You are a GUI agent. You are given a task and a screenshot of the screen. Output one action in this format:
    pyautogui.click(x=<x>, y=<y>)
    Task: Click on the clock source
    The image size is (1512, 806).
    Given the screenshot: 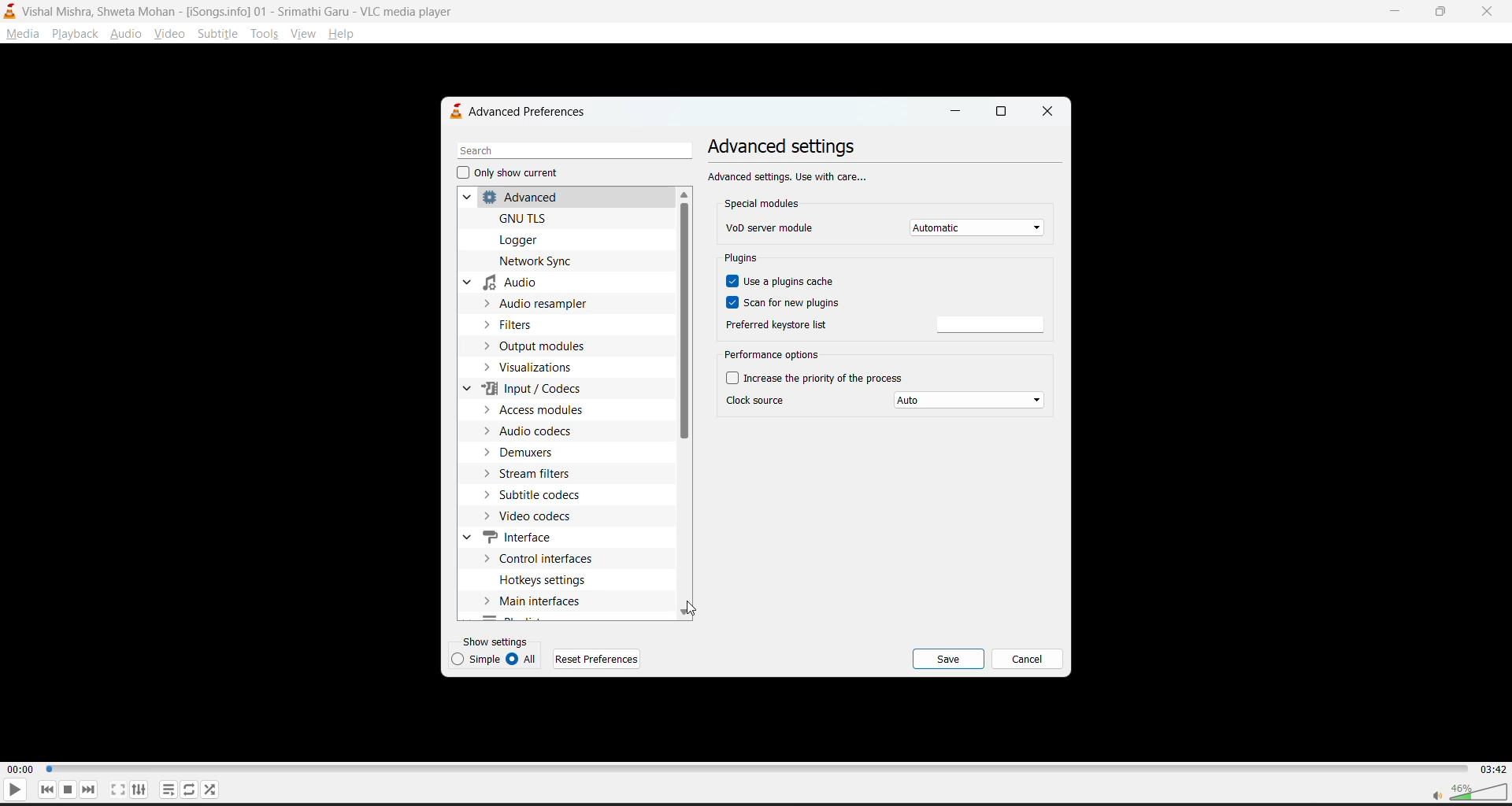 What is the action you would take?
    pyautogui.click(x=761, y=401)
    